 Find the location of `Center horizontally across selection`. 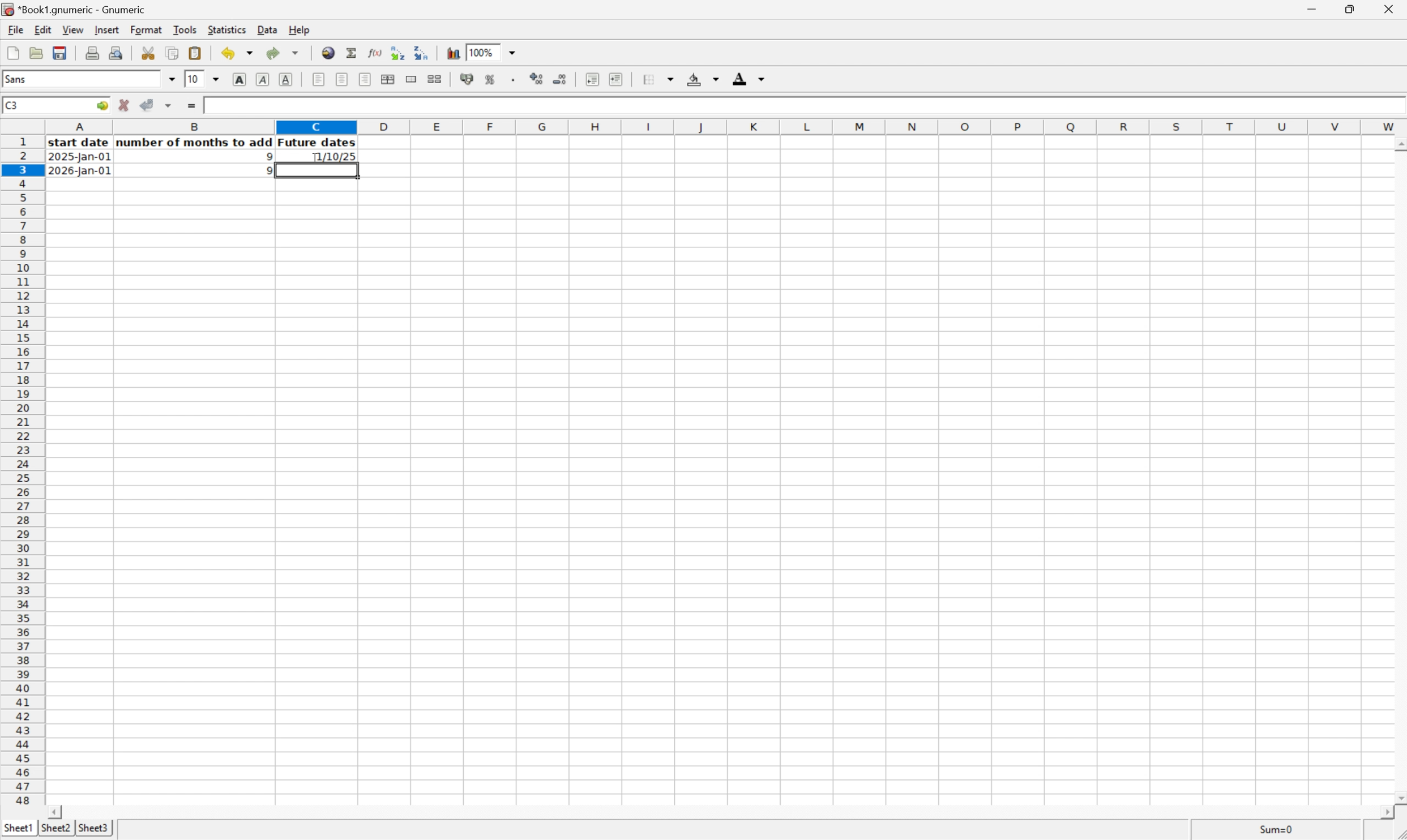

Center horizontally across selection is located at coordinates (389, 80).